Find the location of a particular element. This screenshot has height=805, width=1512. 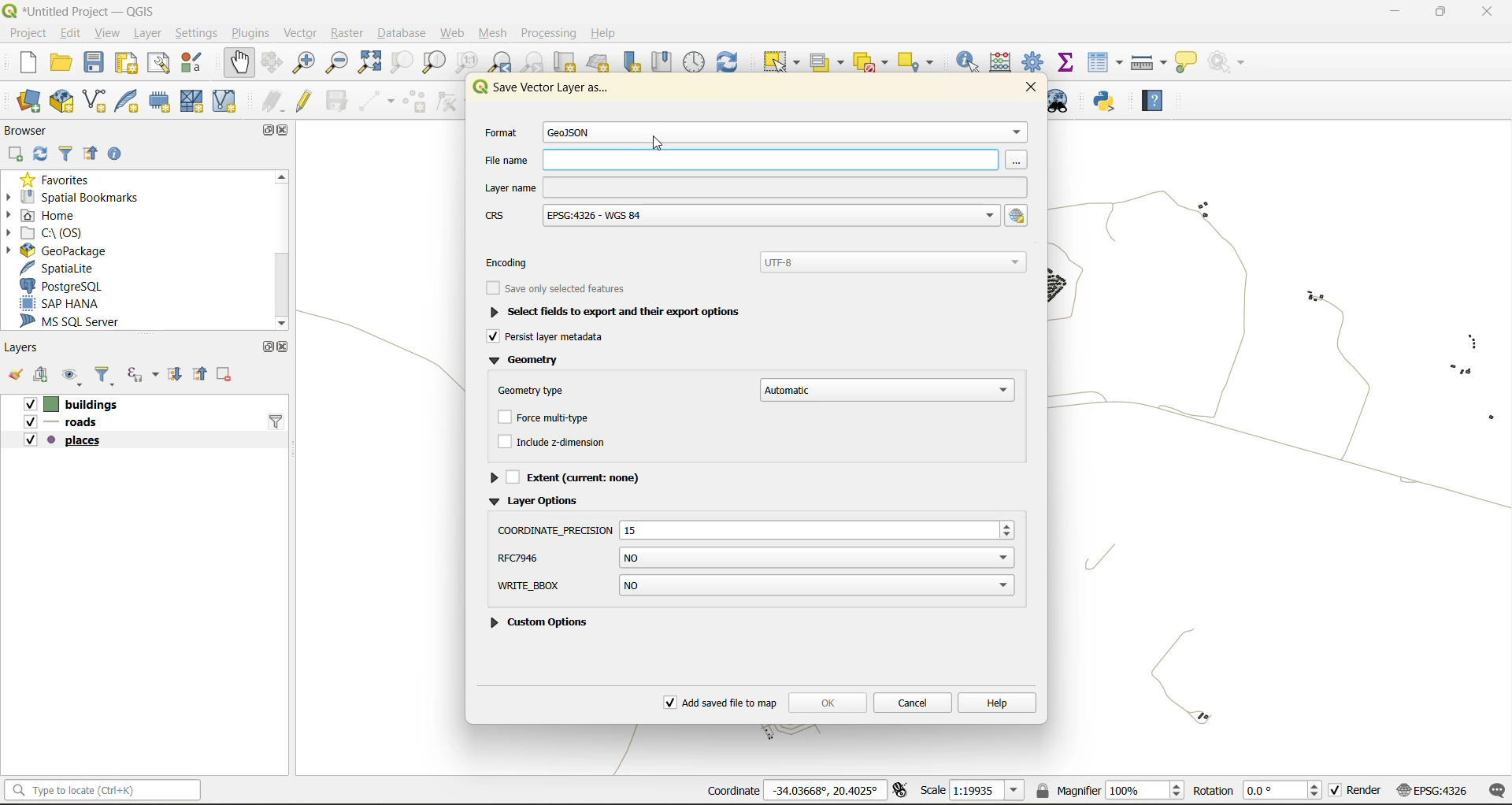

custom options is located at coordinates (542, 623).